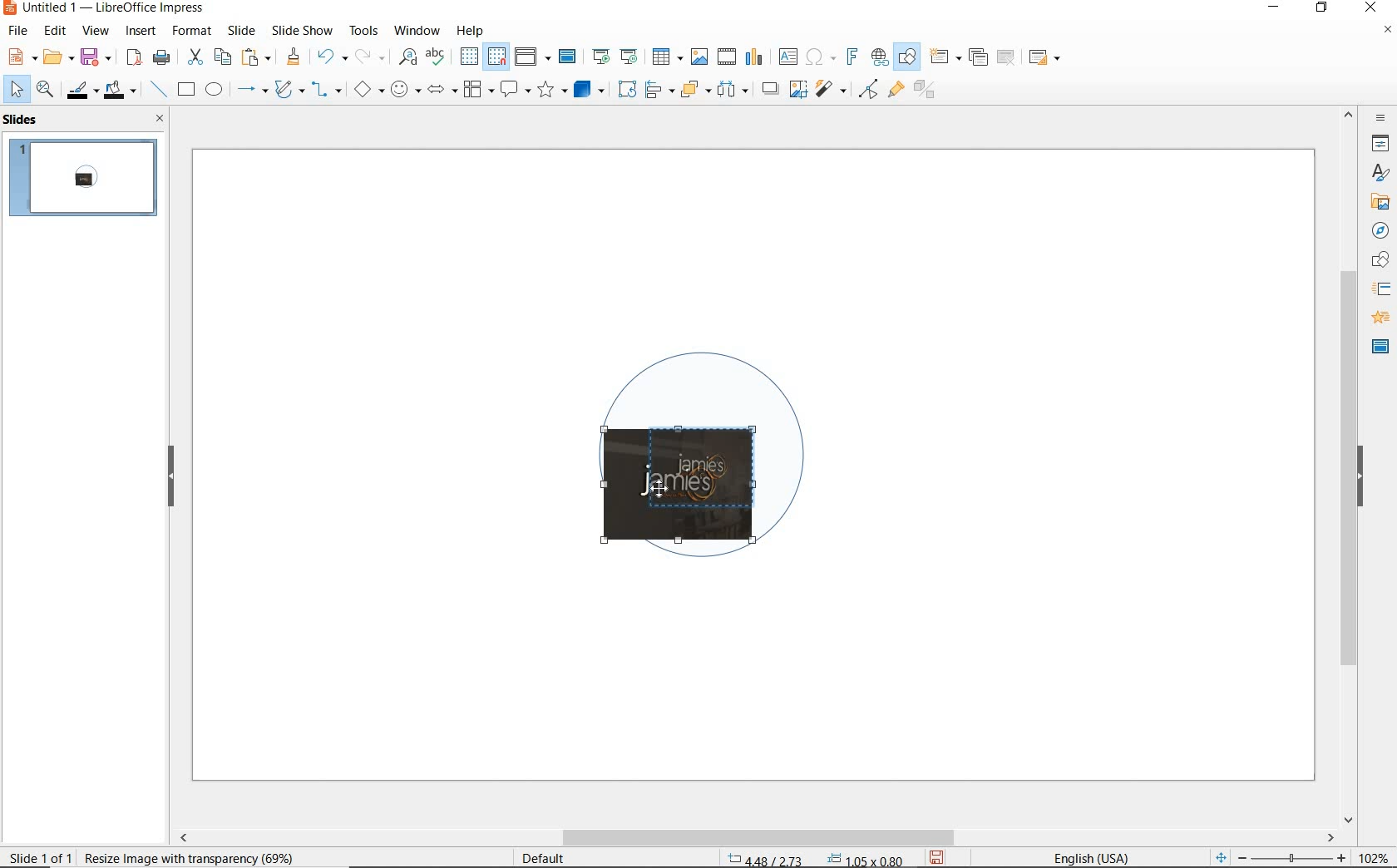 This screenshot has height=868, width=1397. I want to click on save, so click(938, 856).